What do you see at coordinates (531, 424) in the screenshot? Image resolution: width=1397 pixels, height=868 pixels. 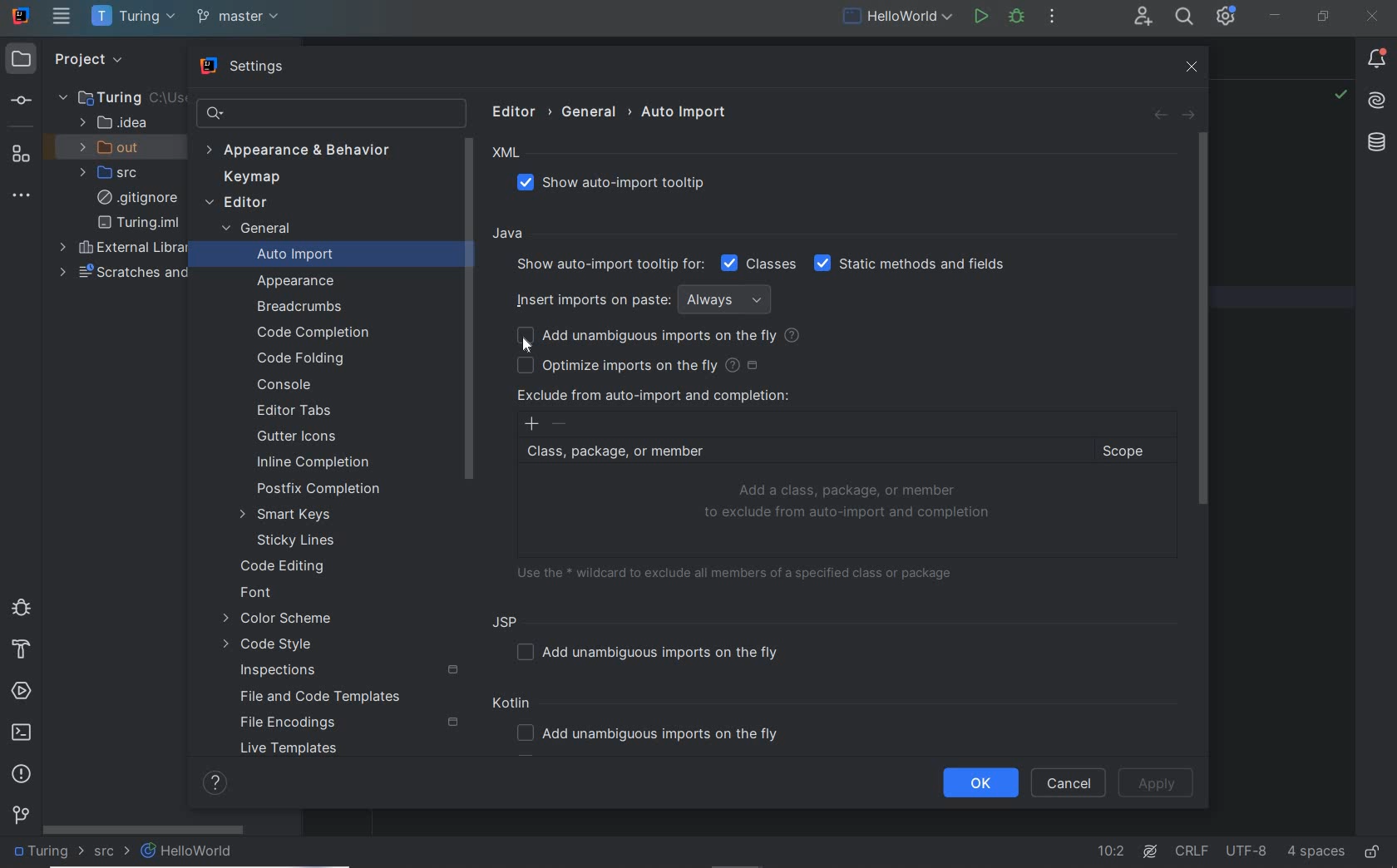 I see `ADD` at bounding box center [531, 424].